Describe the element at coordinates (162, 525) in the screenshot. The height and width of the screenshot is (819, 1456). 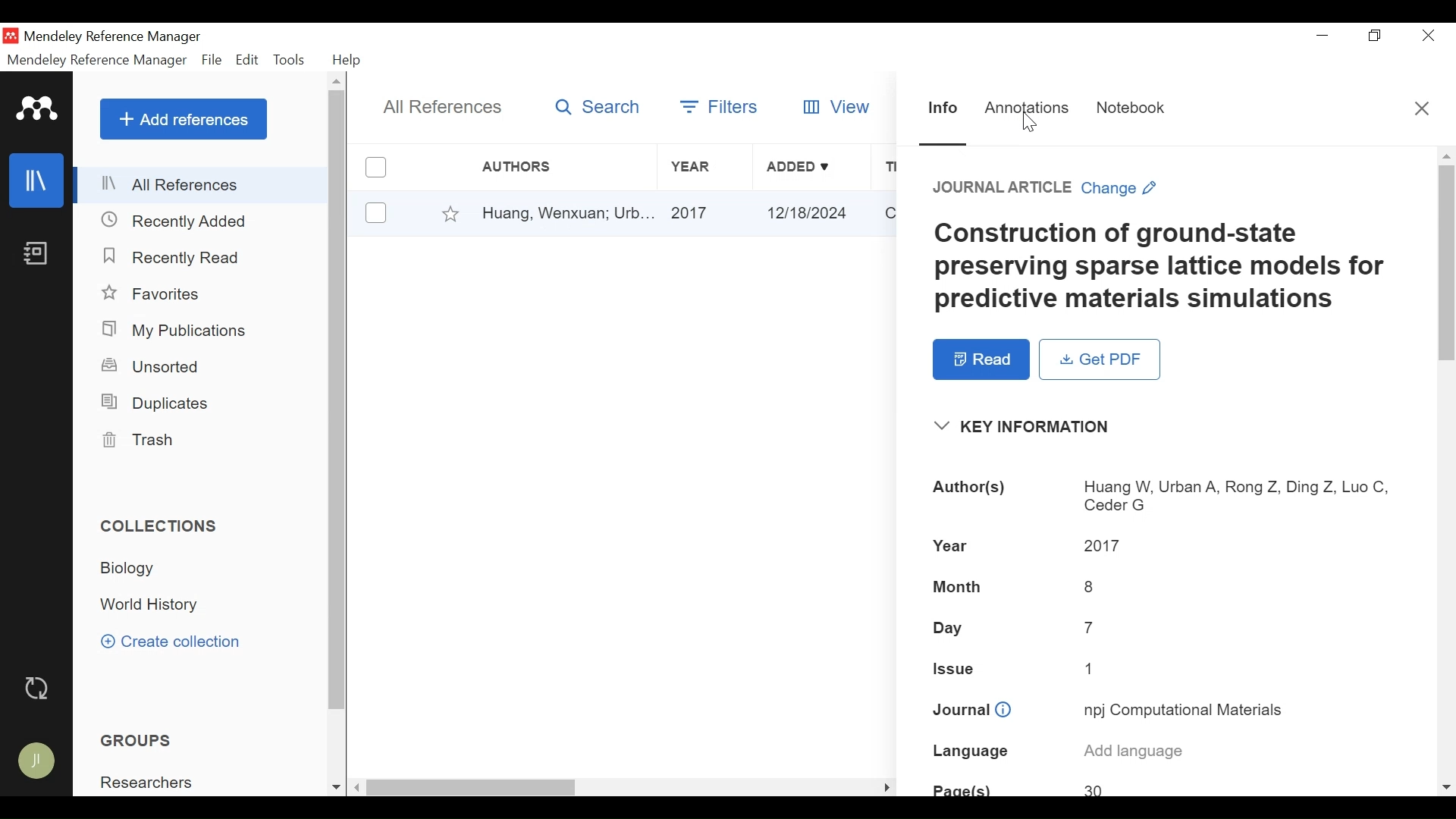
I see `Collections` at that location.